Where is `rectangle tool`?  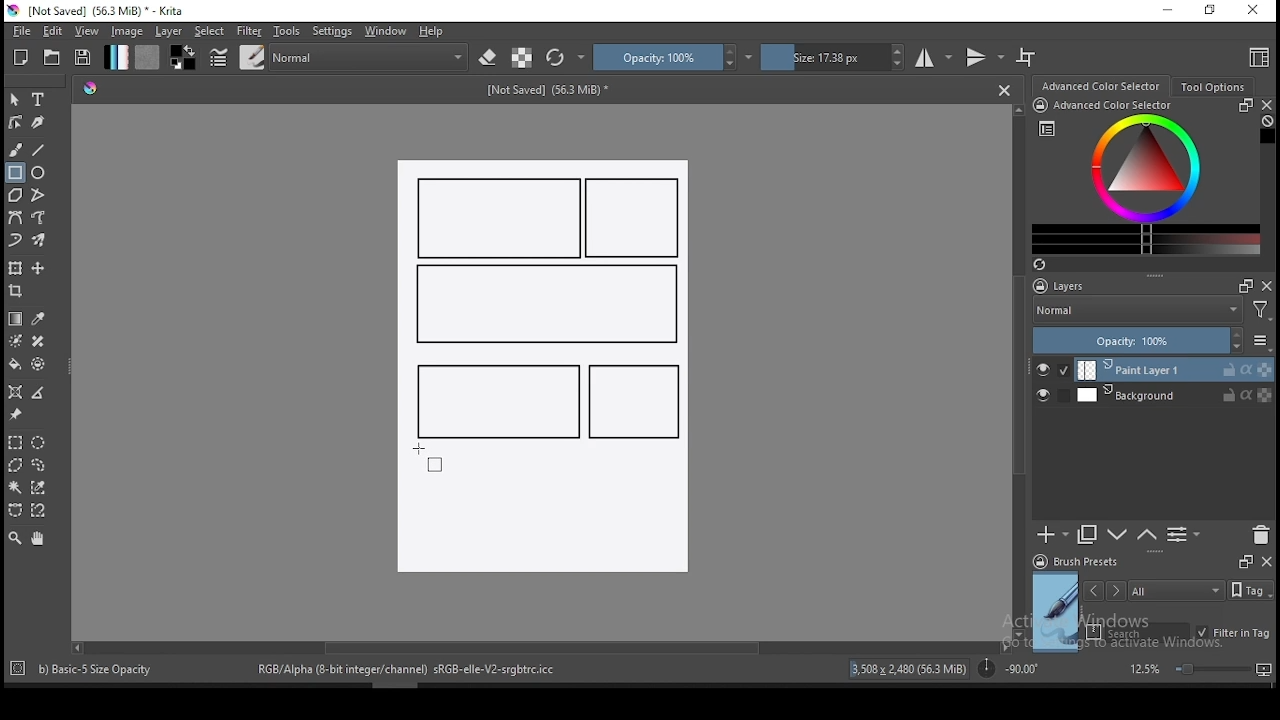
rectangle tool is located at coordinates (15, 173).